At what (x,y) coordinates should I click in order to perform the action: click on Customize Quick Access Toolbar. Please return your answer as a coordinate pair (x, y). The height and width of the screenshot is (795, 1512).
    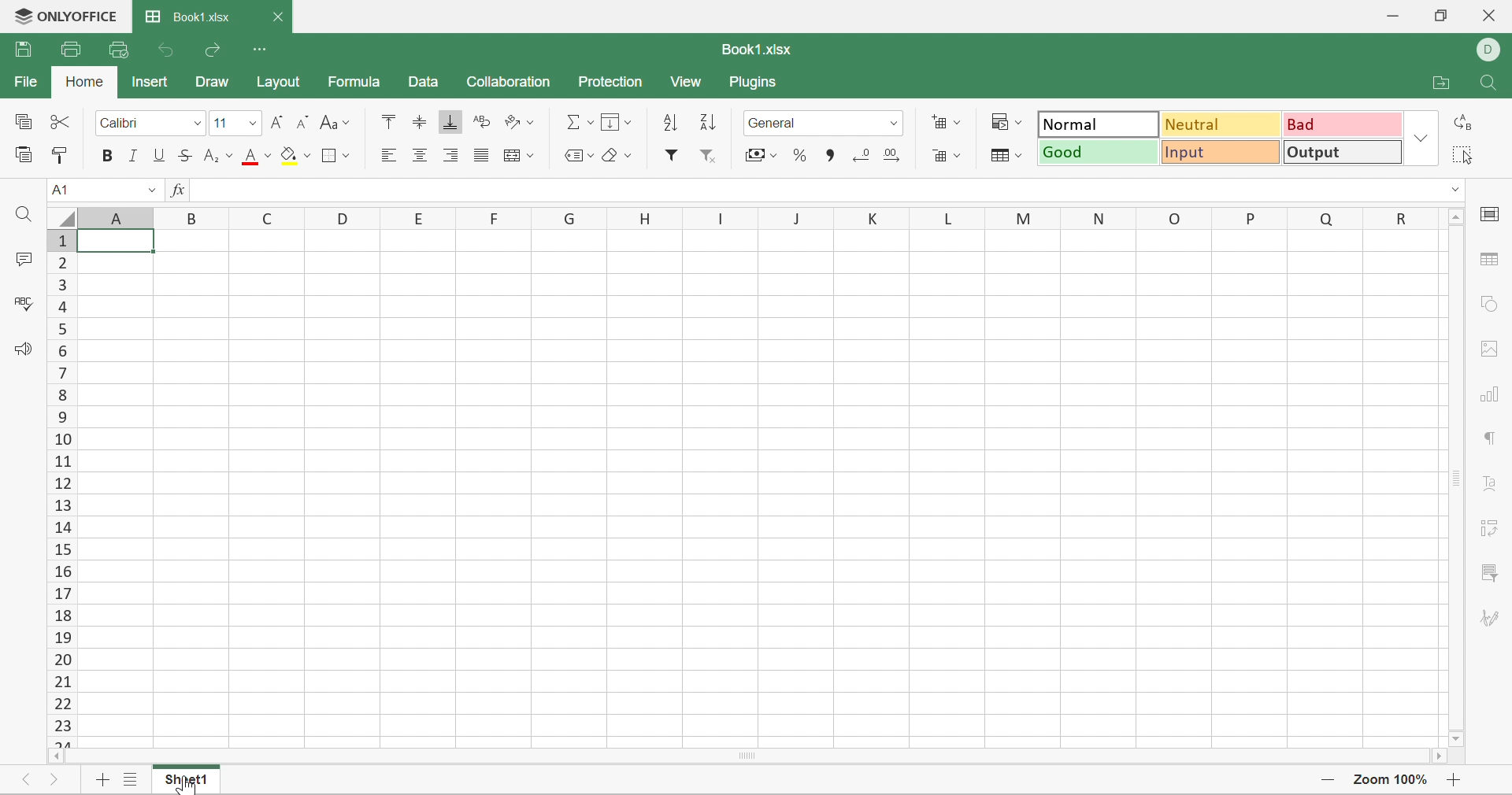
    Looking at the image, I should click on (262, 50).